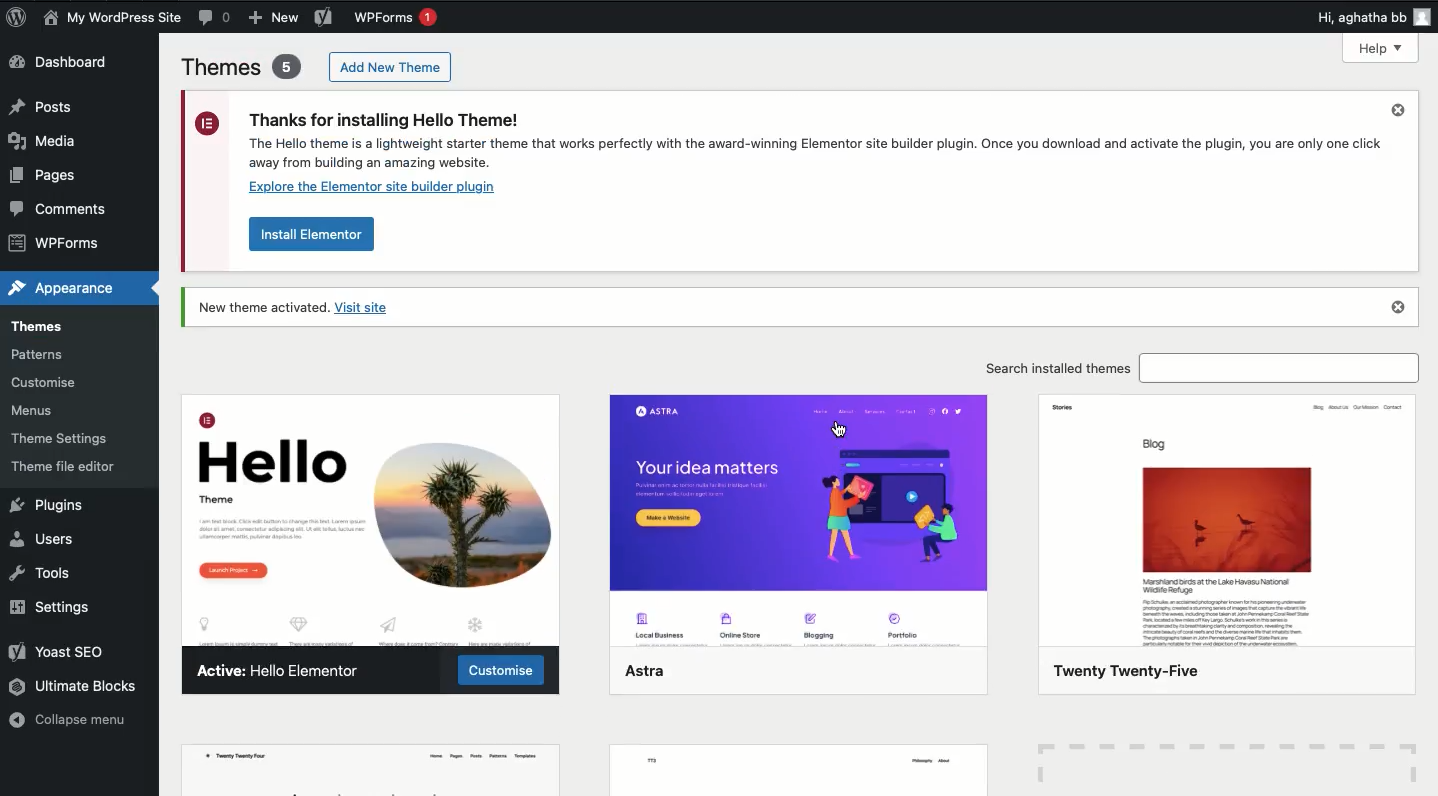  Describe the element at coordinates (1218, 544) in the screenshot. I see `2025` at that location.